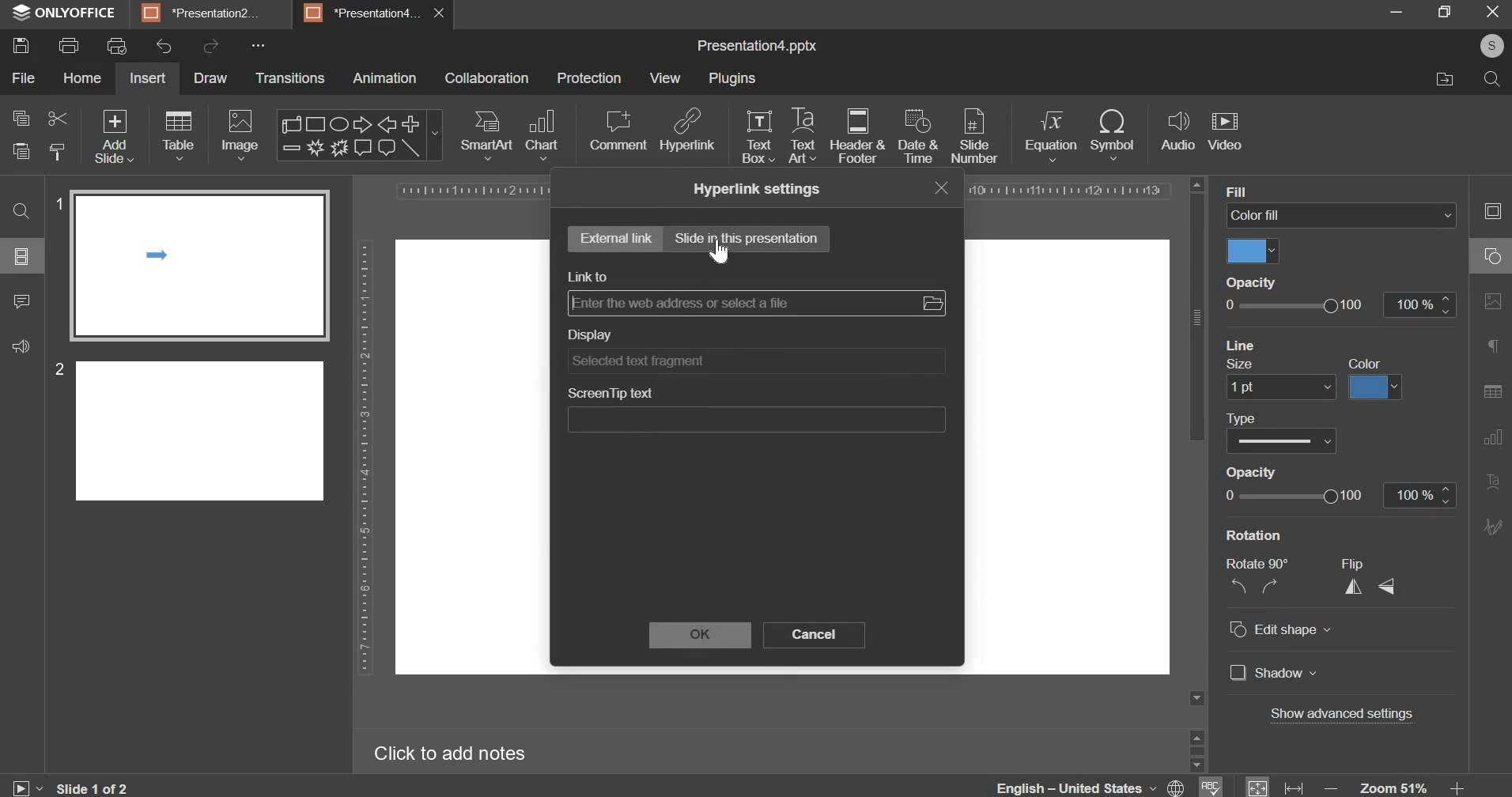 This screenshot has height=797, width=1512. What do you see at coordinates (1051, 135) in the screenshot?
I see `equation` at bounding box center [1051, 135].